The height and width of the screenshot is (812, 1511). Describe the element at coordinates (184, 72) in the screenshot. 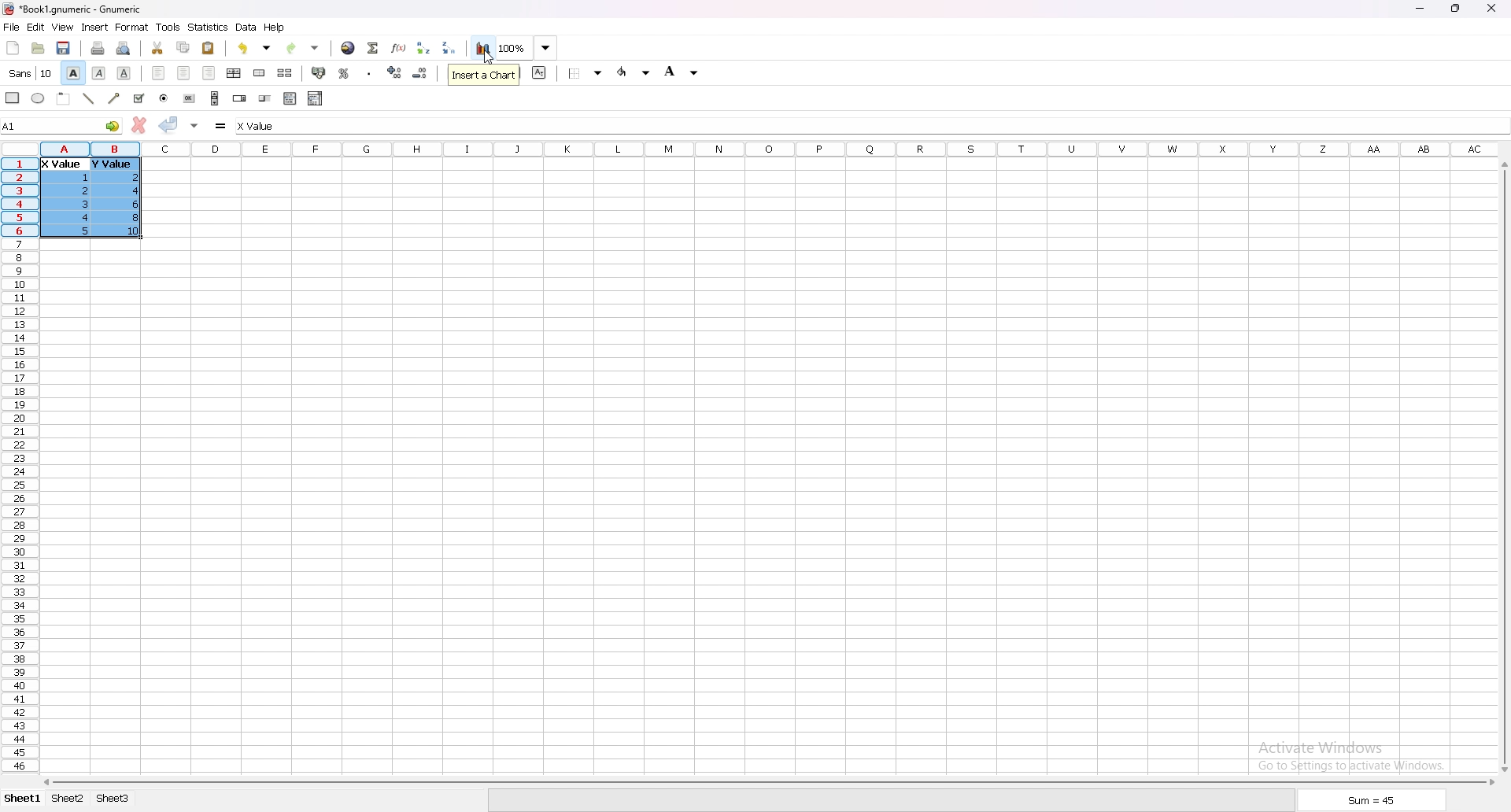

I see `centre` at that location.